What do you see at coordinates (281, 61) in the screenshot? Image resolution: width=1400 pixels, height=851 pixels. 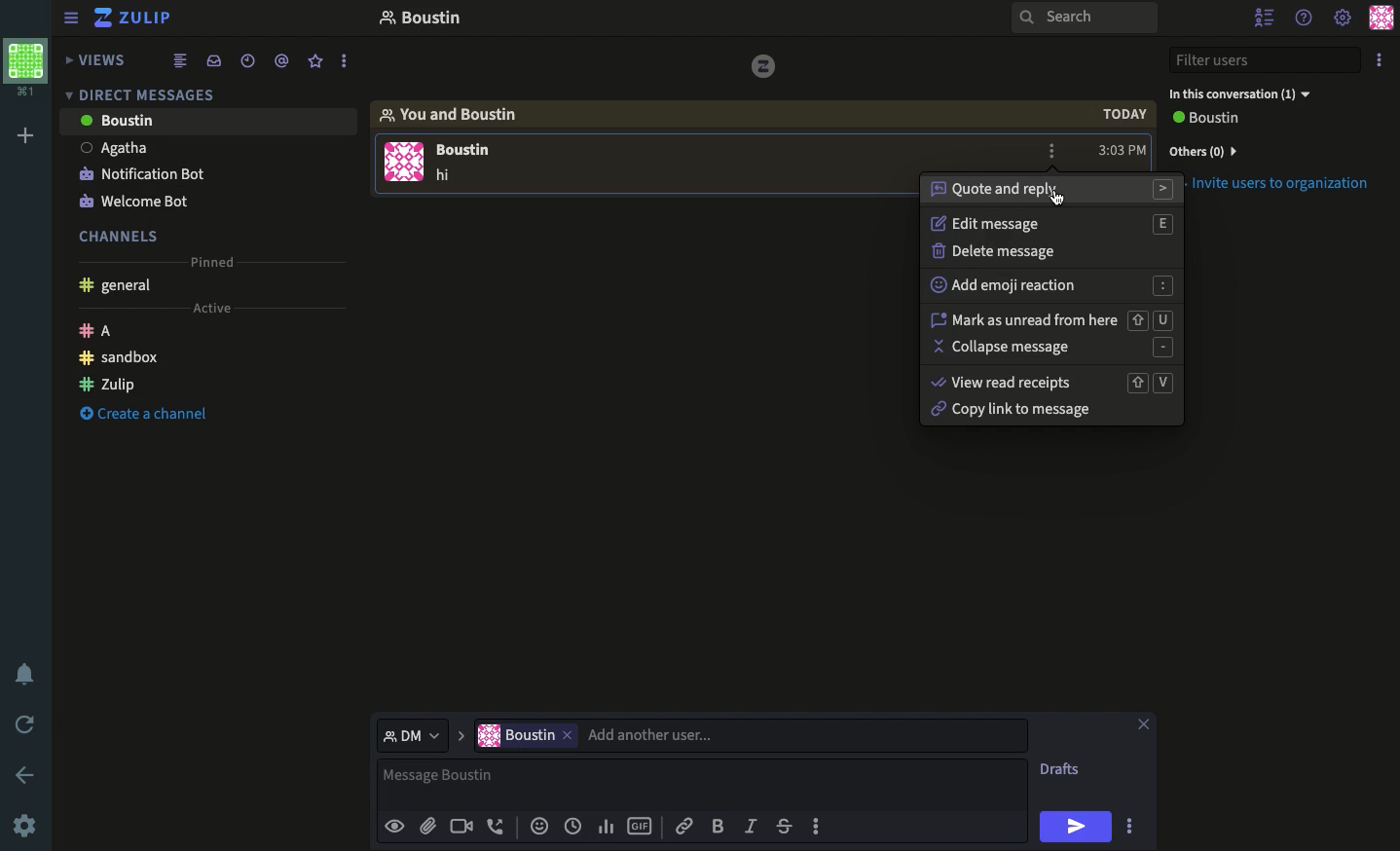 I see `Tagged` at bounding box center [281, 61].